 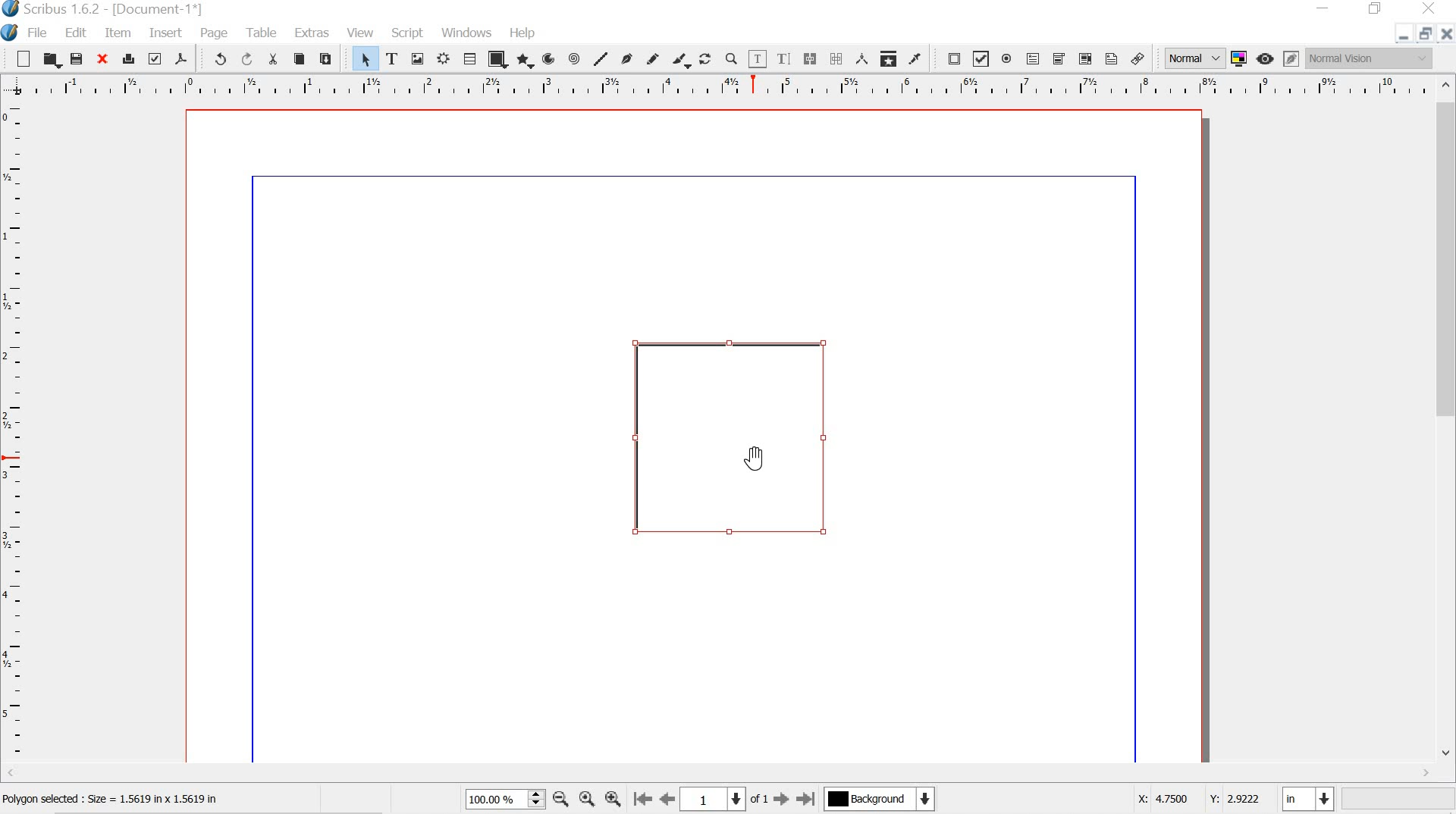 What do you see at coordinates (1266, 59) in the screenshot?
I see `preview mode` at bounding box center [1266, 59].